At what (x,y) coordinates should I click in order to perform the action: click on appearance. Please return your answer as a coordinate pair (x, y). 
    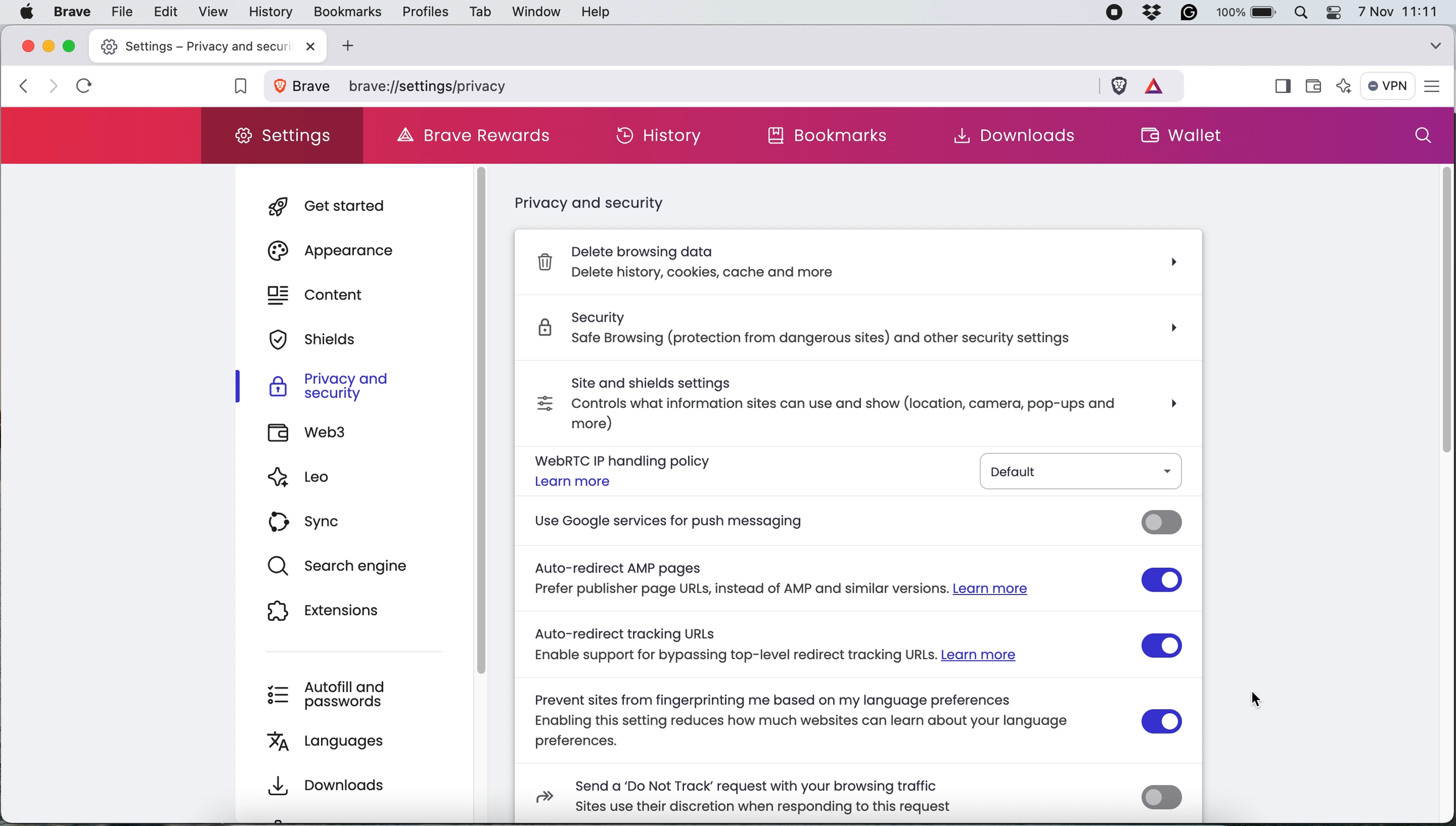
    Looking at the image, I should click on (343, 250).